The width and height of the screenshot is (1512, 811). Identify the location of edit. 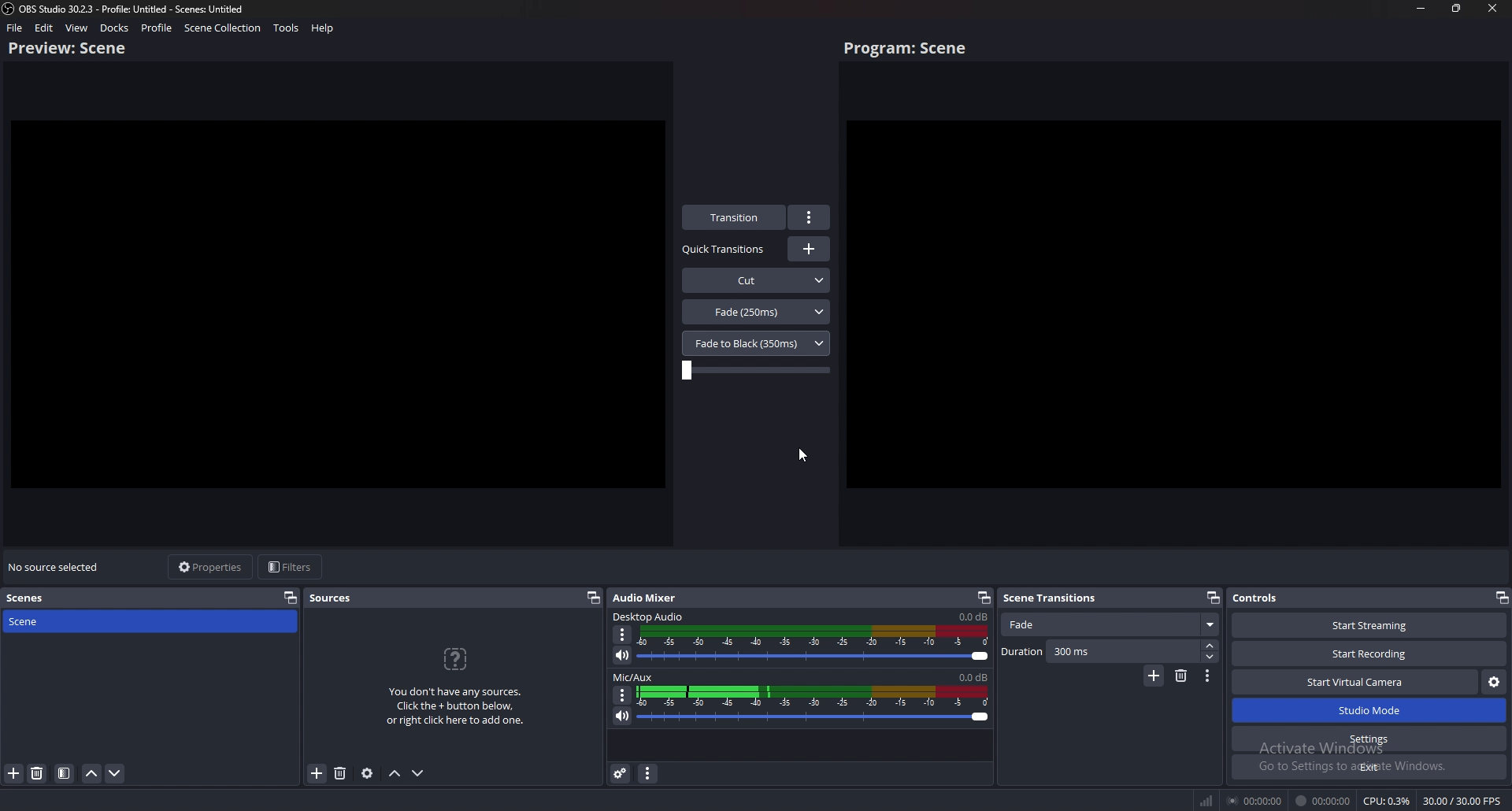
(45, 28).